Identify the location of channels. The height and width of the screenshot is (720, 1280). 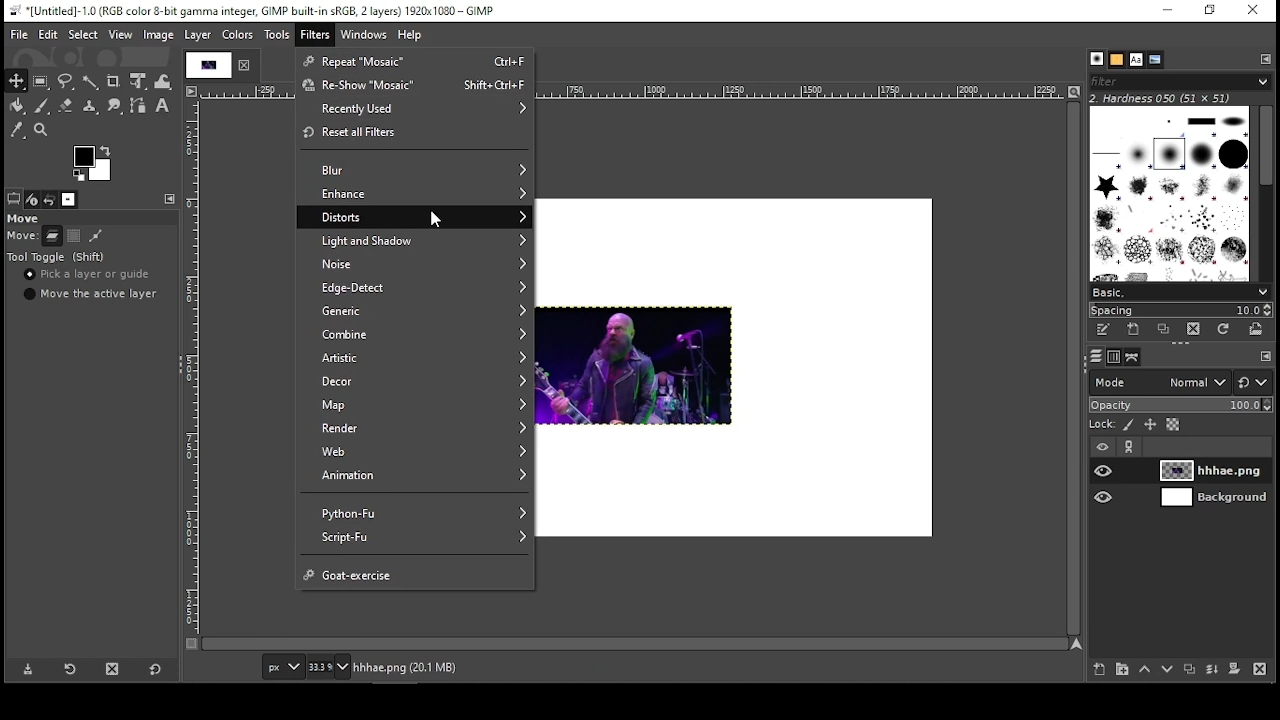
(1114, 357).